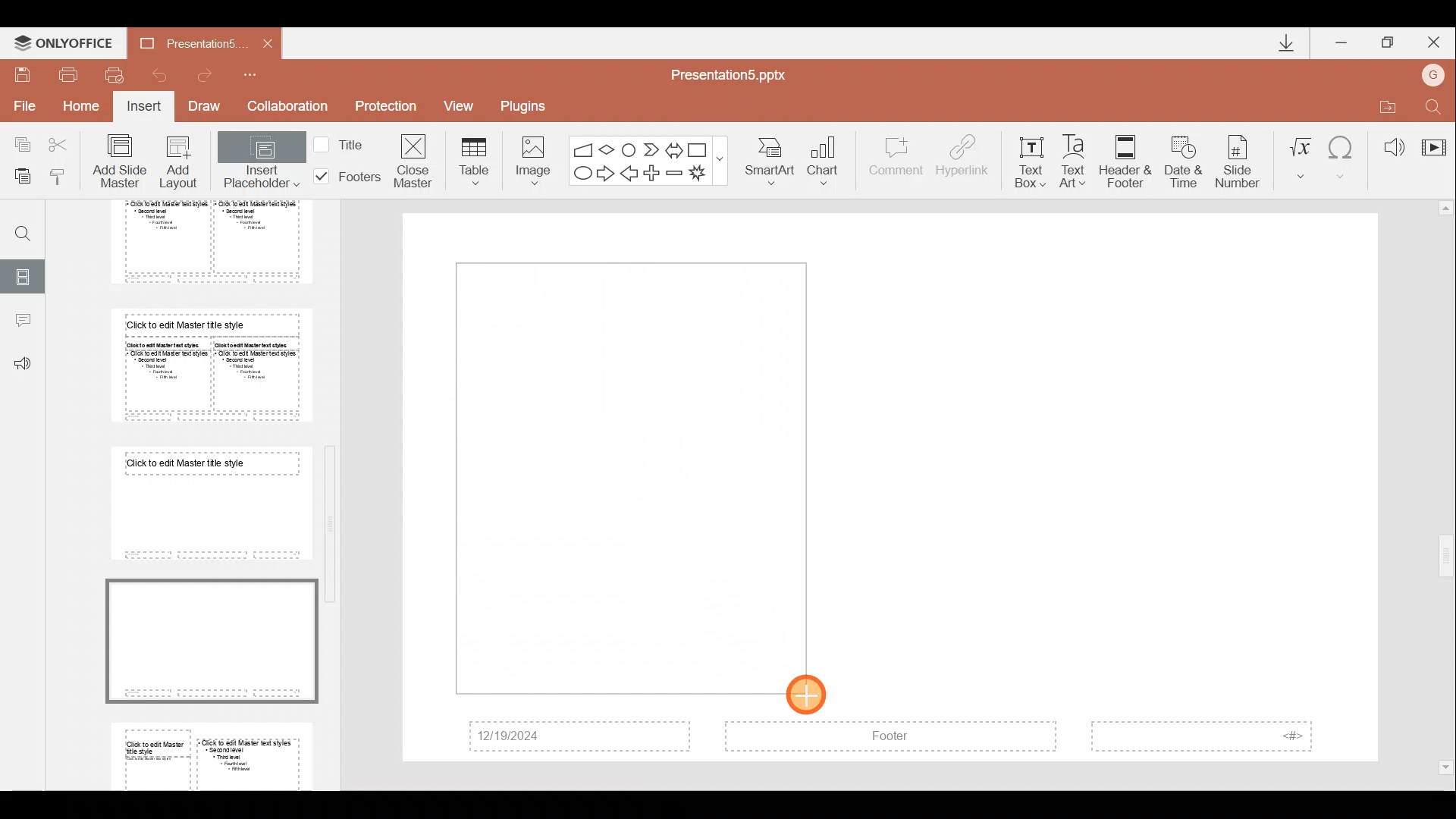  Describe the element at coordinates (896, 163) in the screenshot. I see `Comment` at that location.